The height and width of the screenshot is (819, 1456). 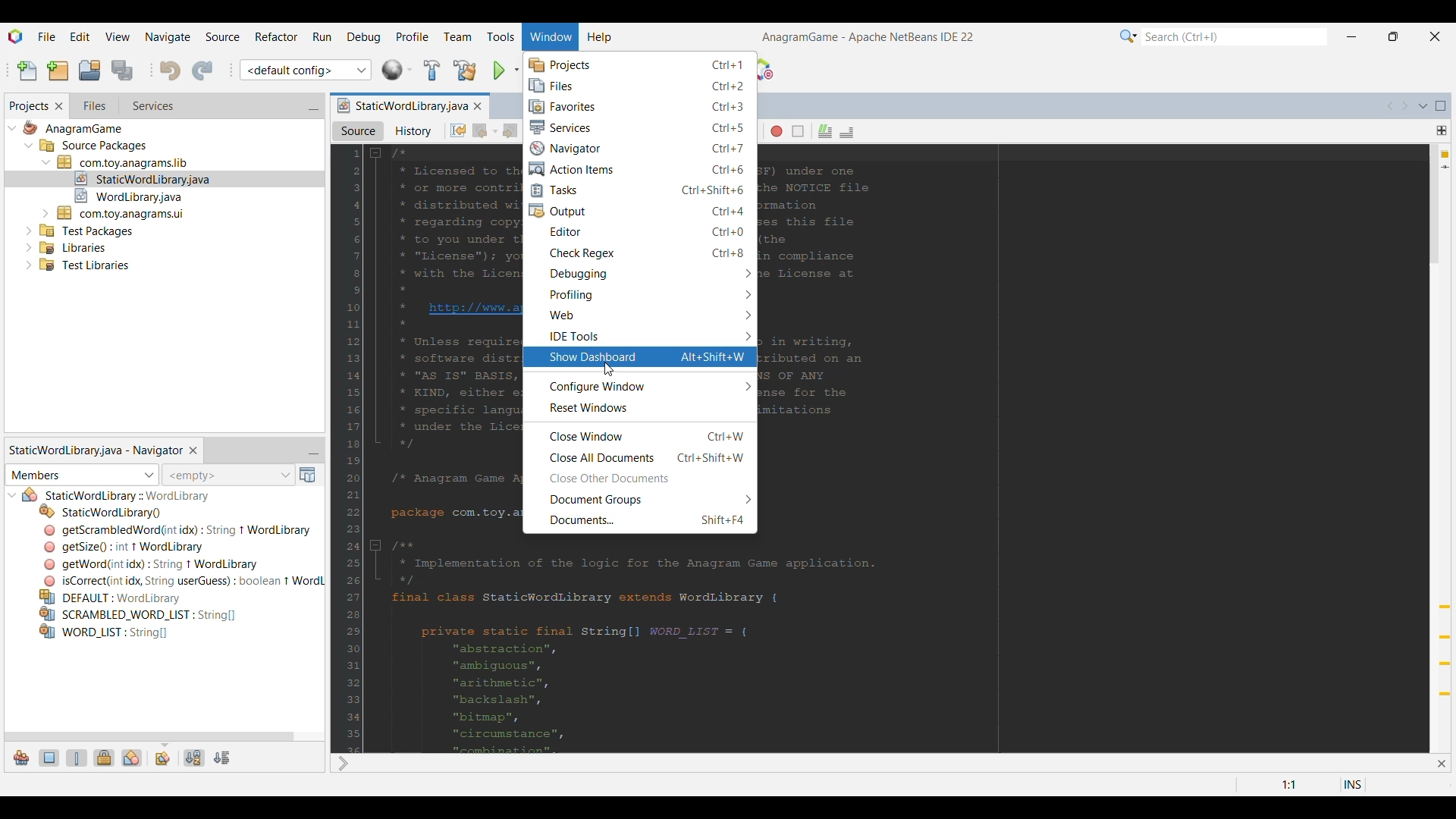 I want to click on Show static members, so click(x=77, y=758).